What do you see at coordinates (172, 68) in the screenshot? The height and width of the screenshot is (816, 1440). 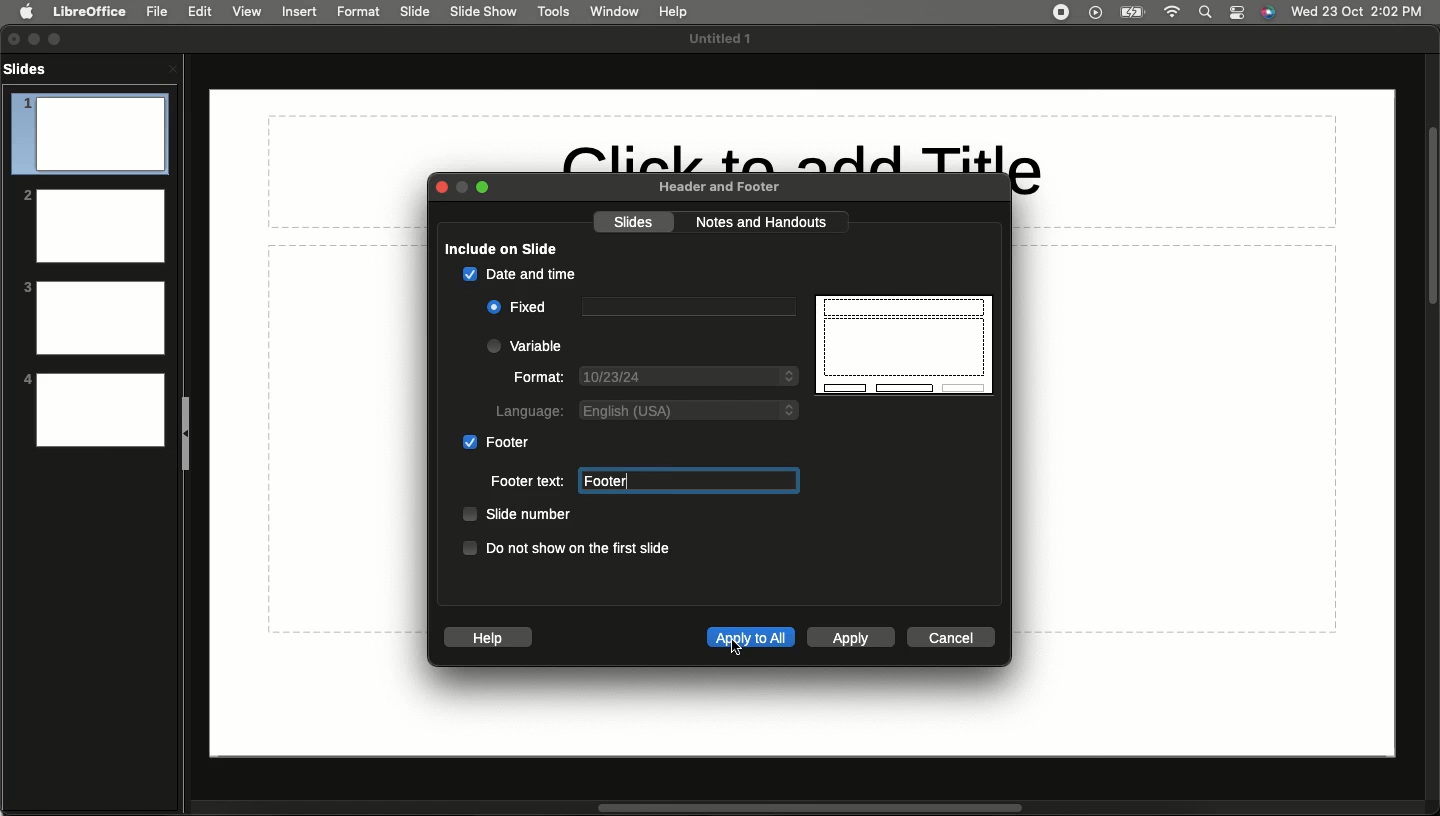 I see `Close` at bounding box center [172, 68].